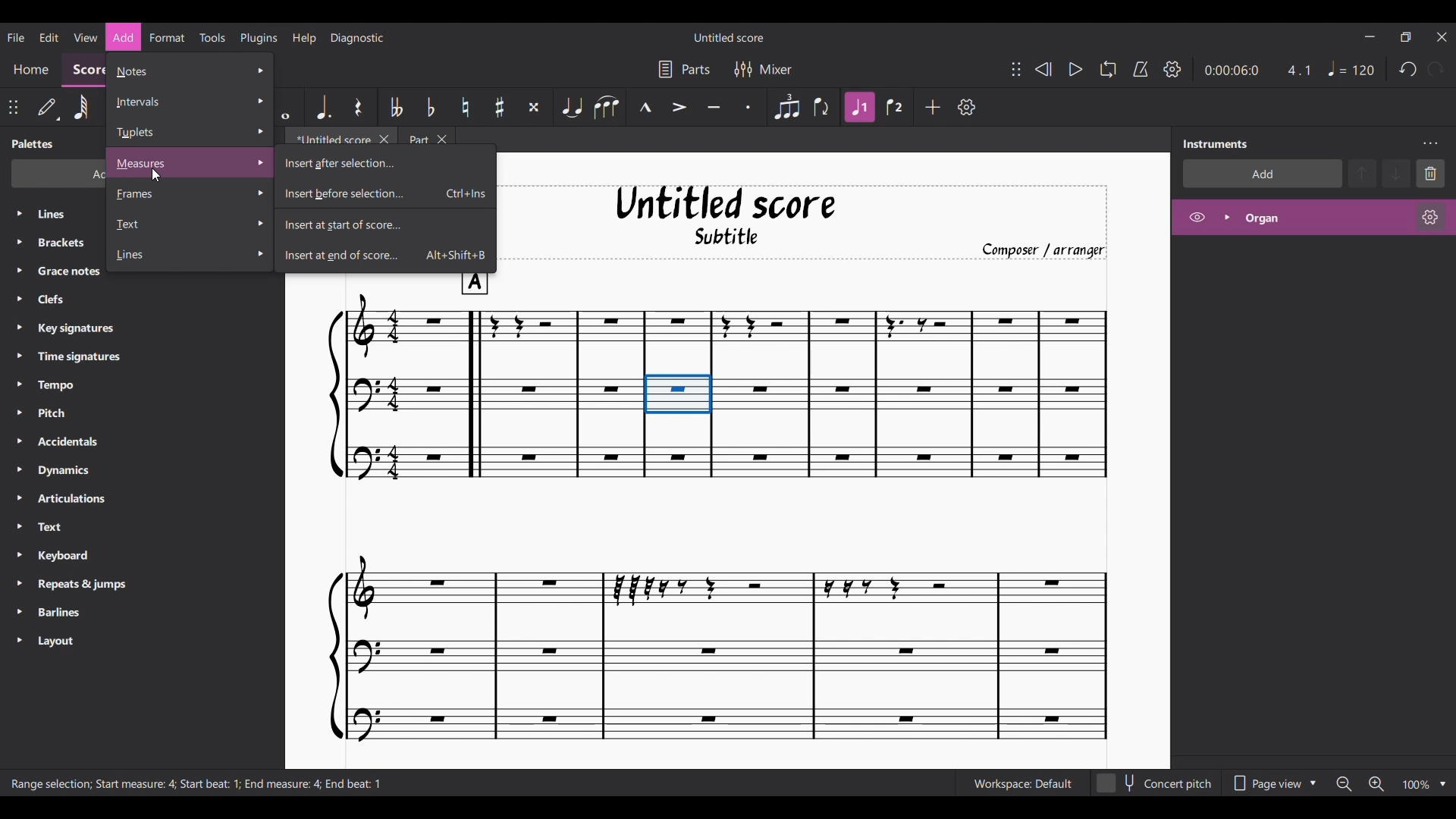 This screenshot has height=819, width=1456. What do you see at coordinates (1015, 69) in the screenshot?
I see `Change position of toolbar` at bounding box center [1015, 69].